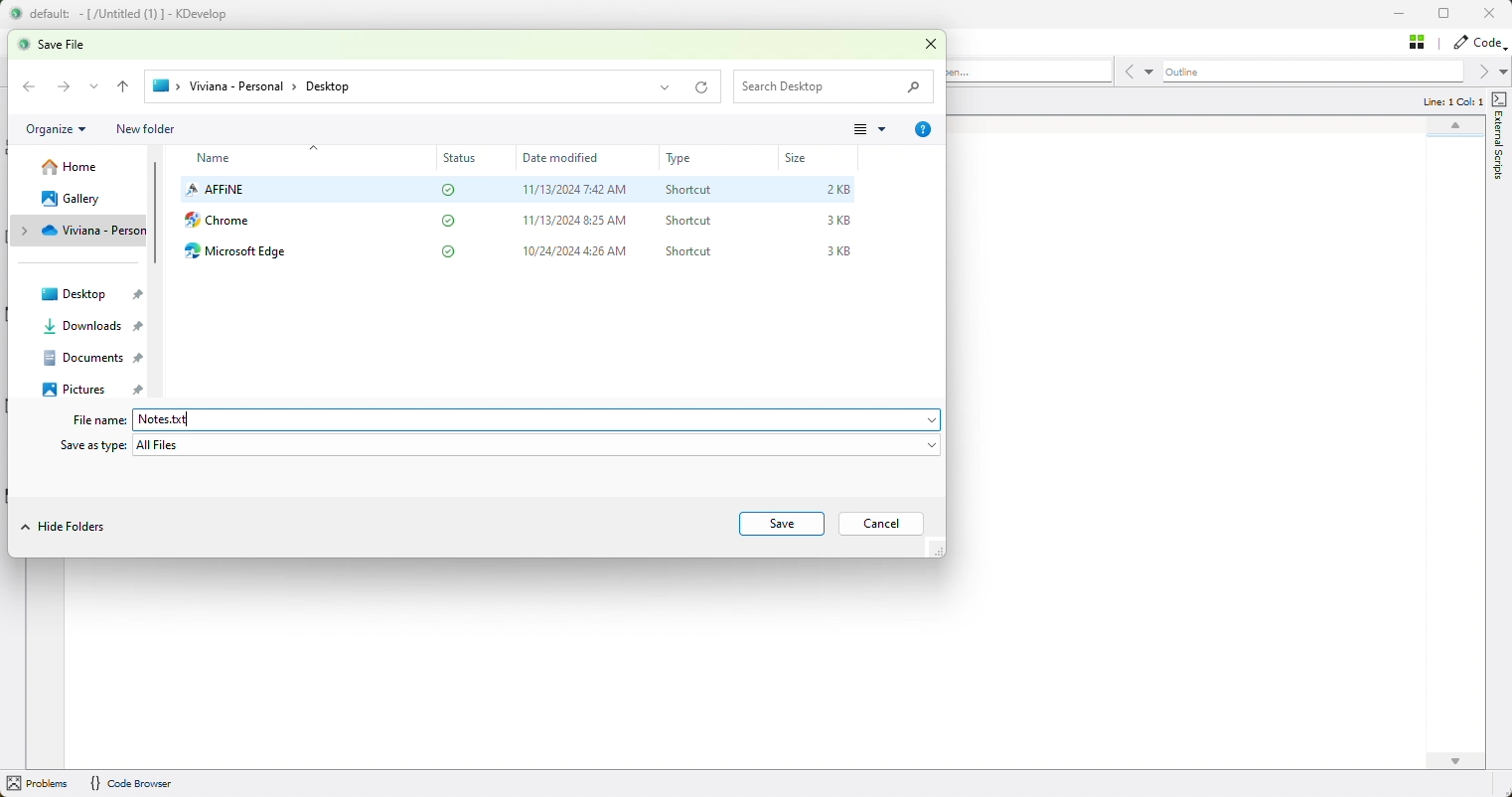  Describe the element at coordinates (841, 249) in the screenshot. I see `3KB` at that location.